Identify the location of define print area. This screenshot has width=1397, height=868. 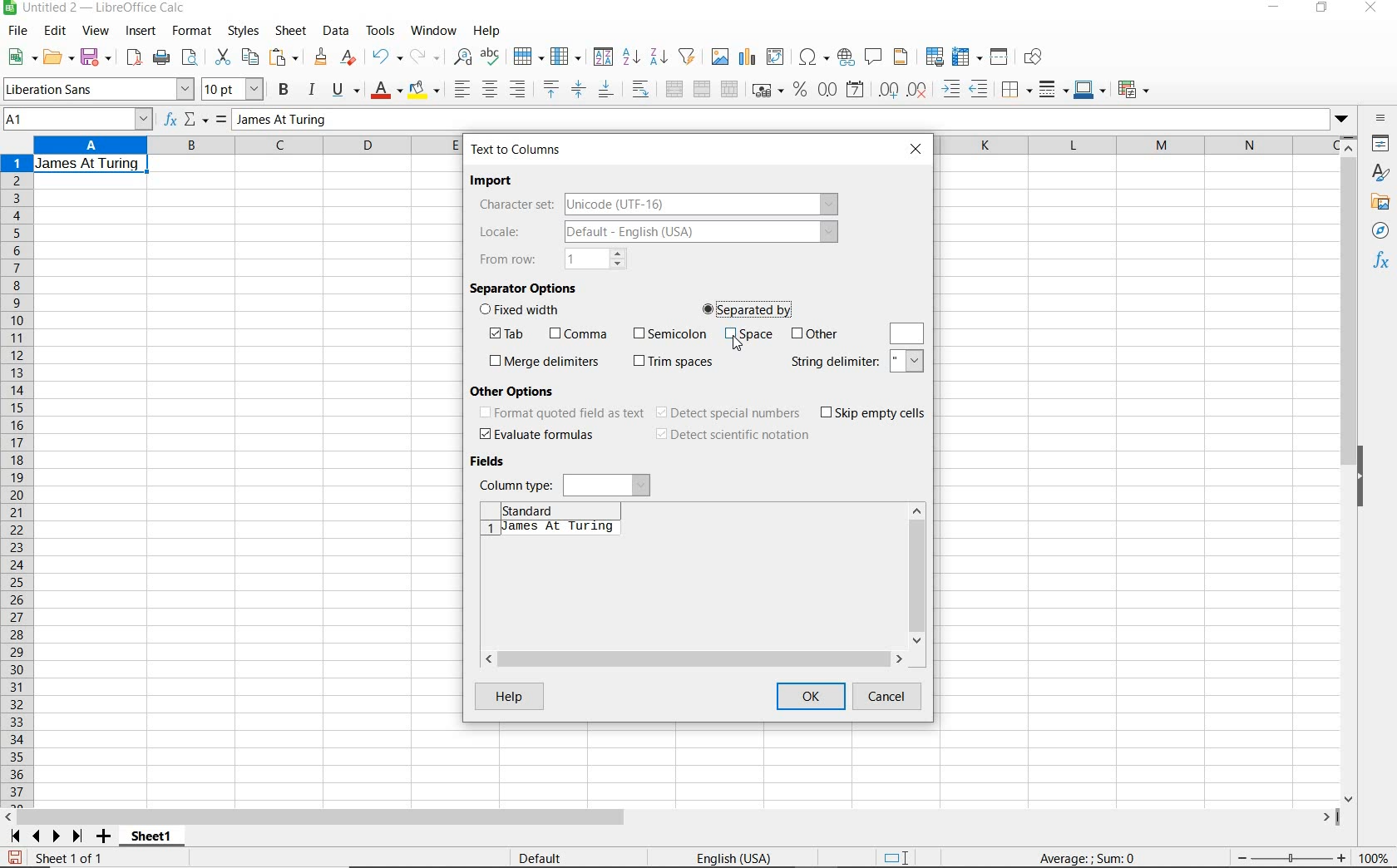
(933, 57).